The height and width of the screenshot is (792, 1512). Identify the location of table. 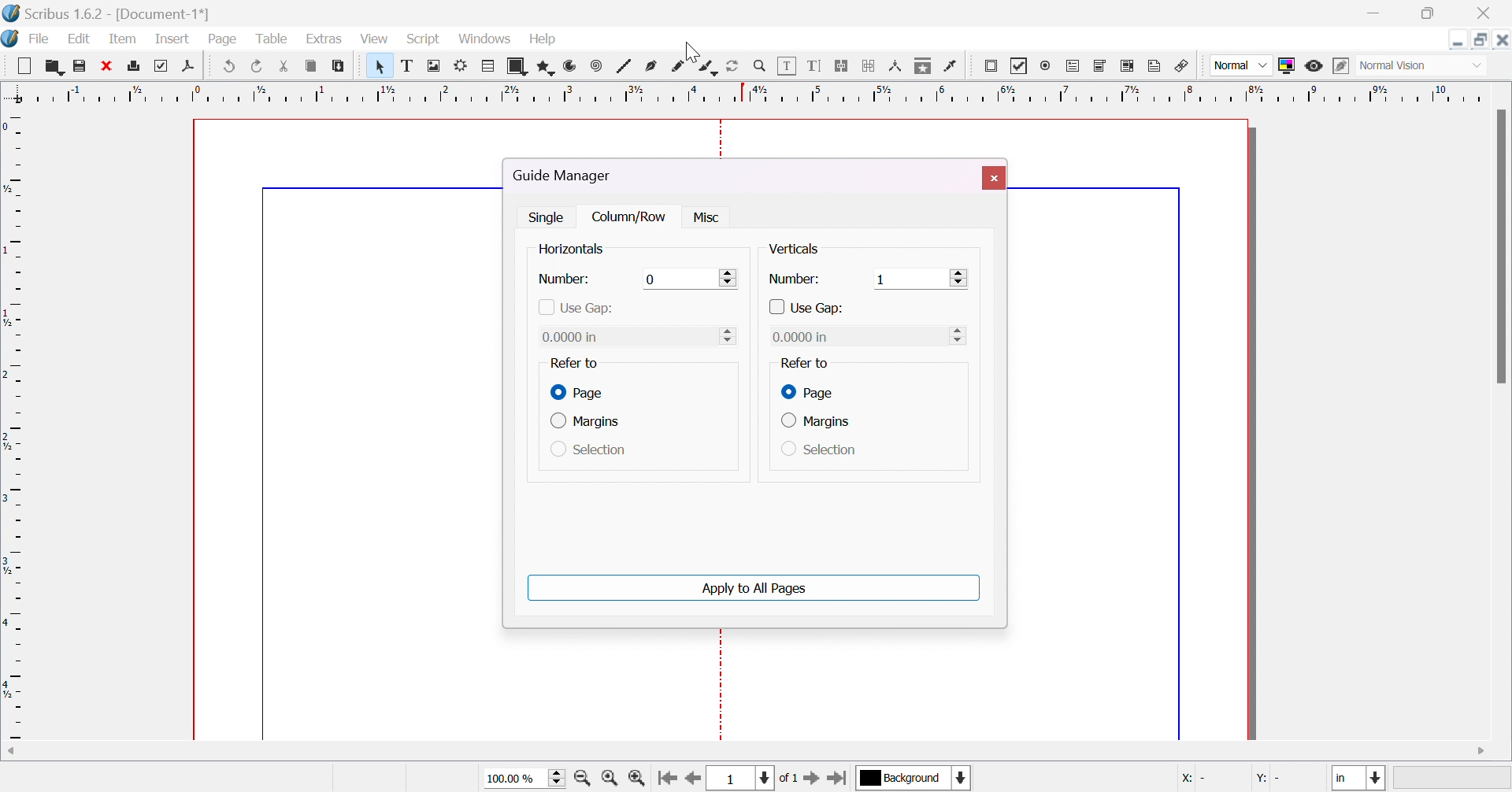
(490, 68).